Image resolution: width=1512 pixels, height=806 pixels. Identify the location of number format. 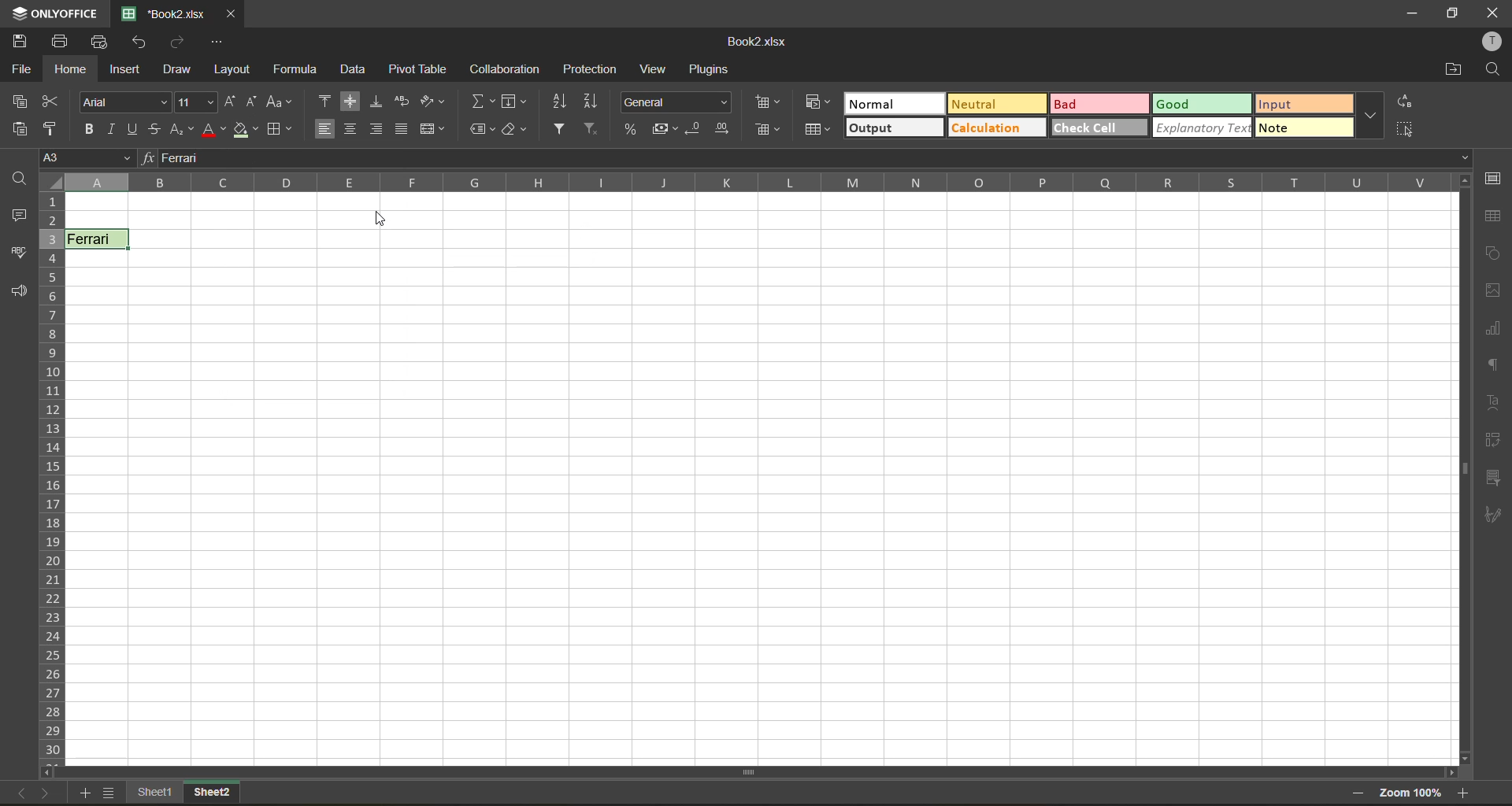
(676, 102).